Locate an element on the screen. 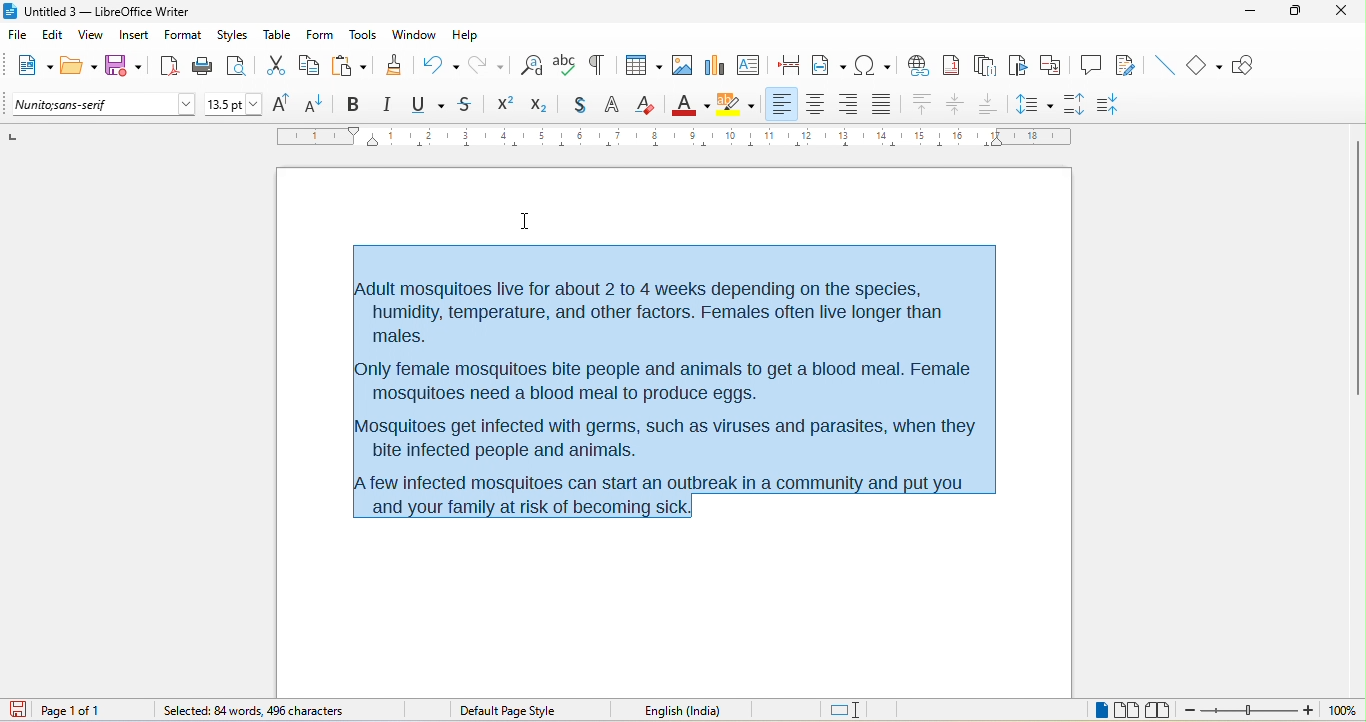 This screenshot has width=1366, height=722. window is located at coordinates (415, 35).